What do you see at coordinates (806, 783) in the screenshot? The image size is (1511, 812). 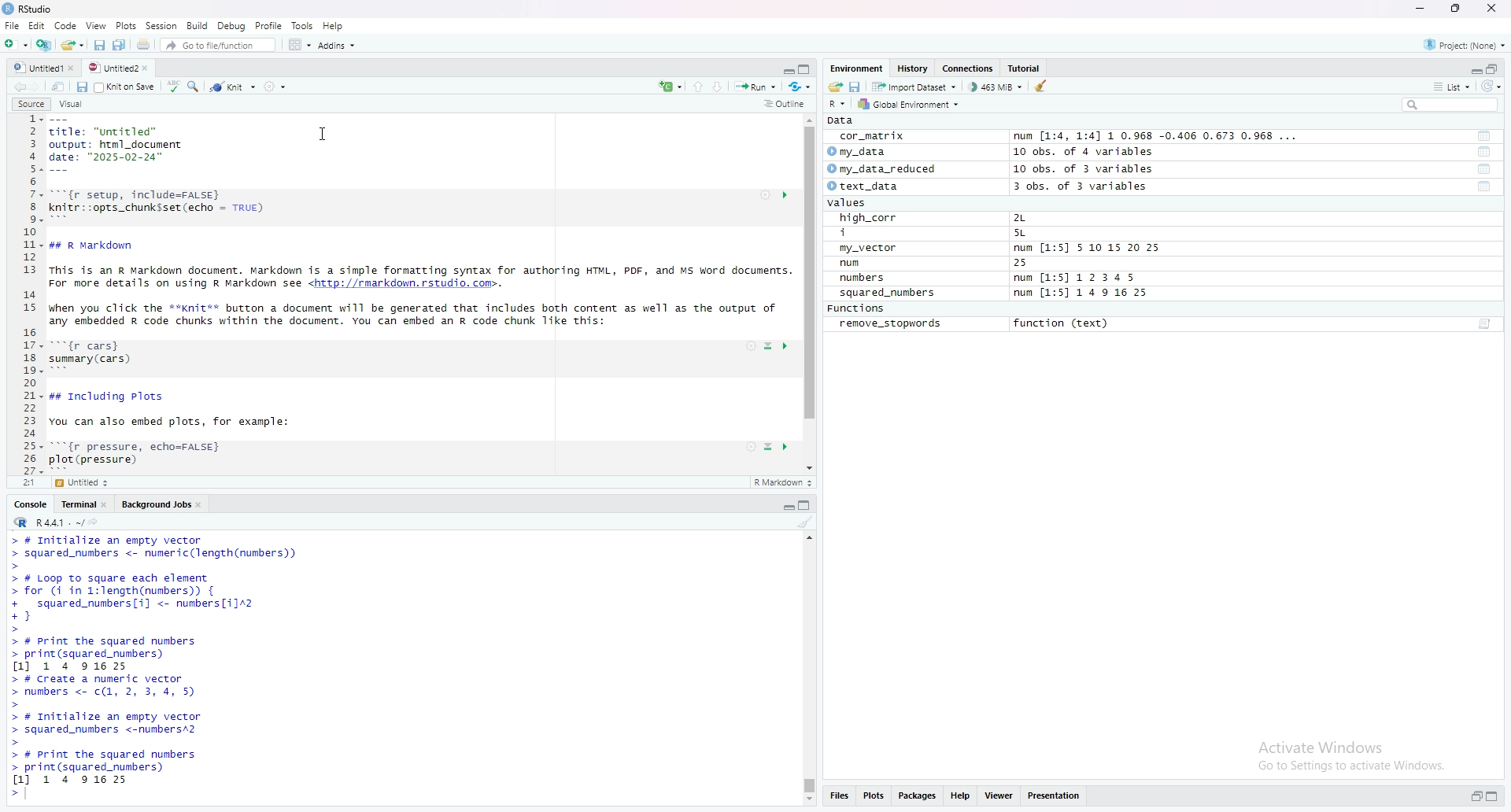 I see `vbertical Scrollbar ` at bounding box center [806, 783].